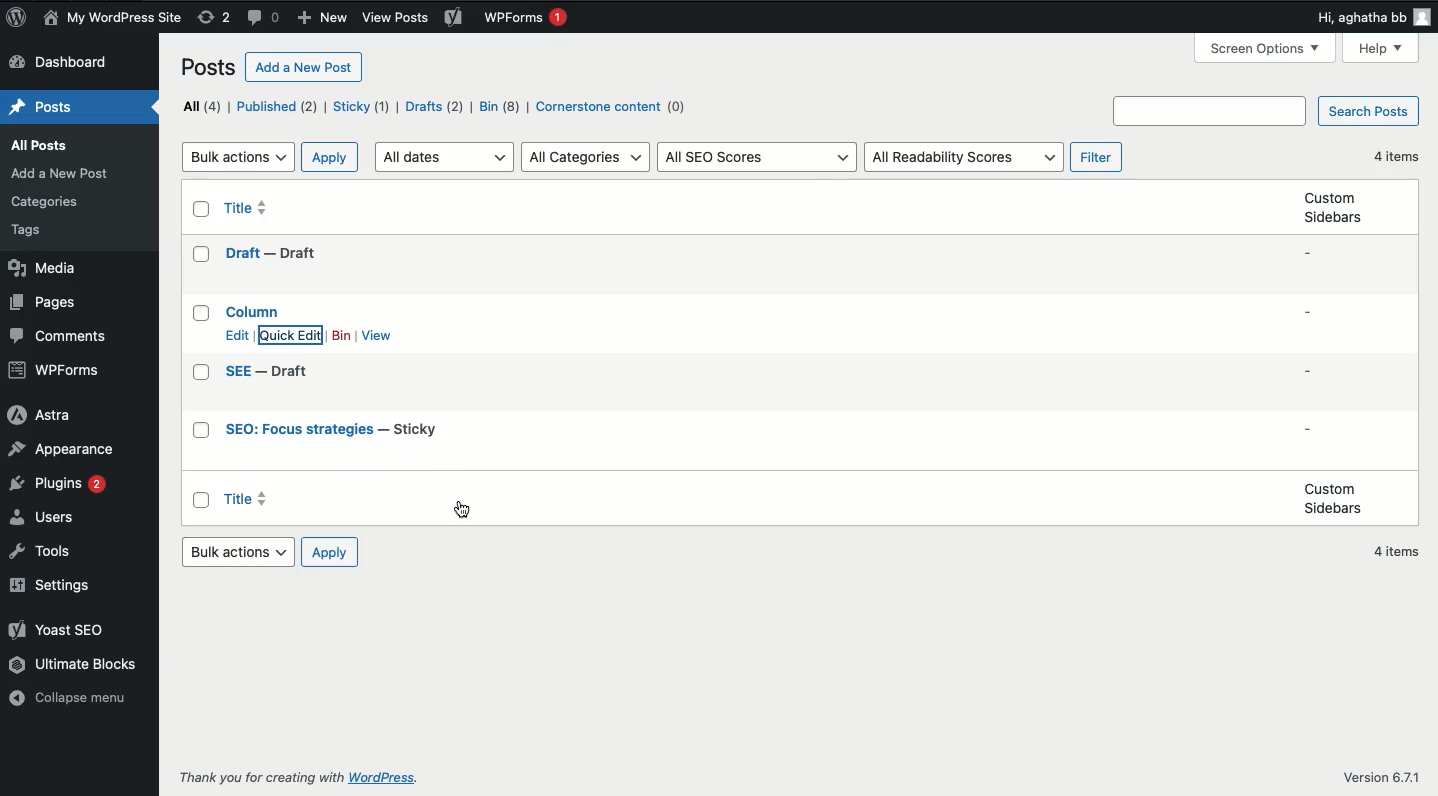 The height and width of the screenshot is (796, 1438). What do you see at coordinates (266, 18) in the screenshot?
I see `Comments` at bounding box center [266, 18].